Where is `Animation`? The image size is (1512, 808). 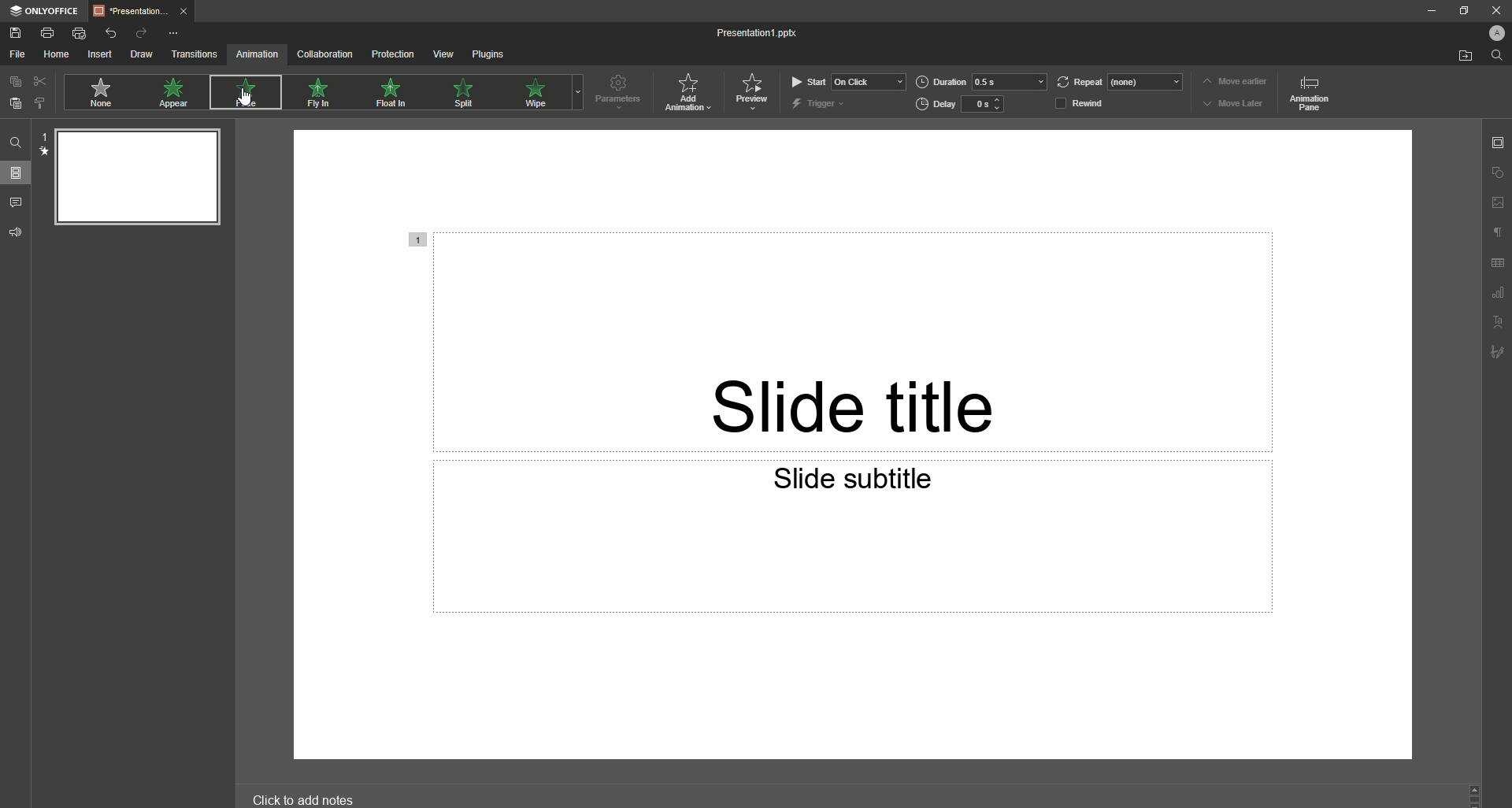
Animation is located at coordinates (254, 56).